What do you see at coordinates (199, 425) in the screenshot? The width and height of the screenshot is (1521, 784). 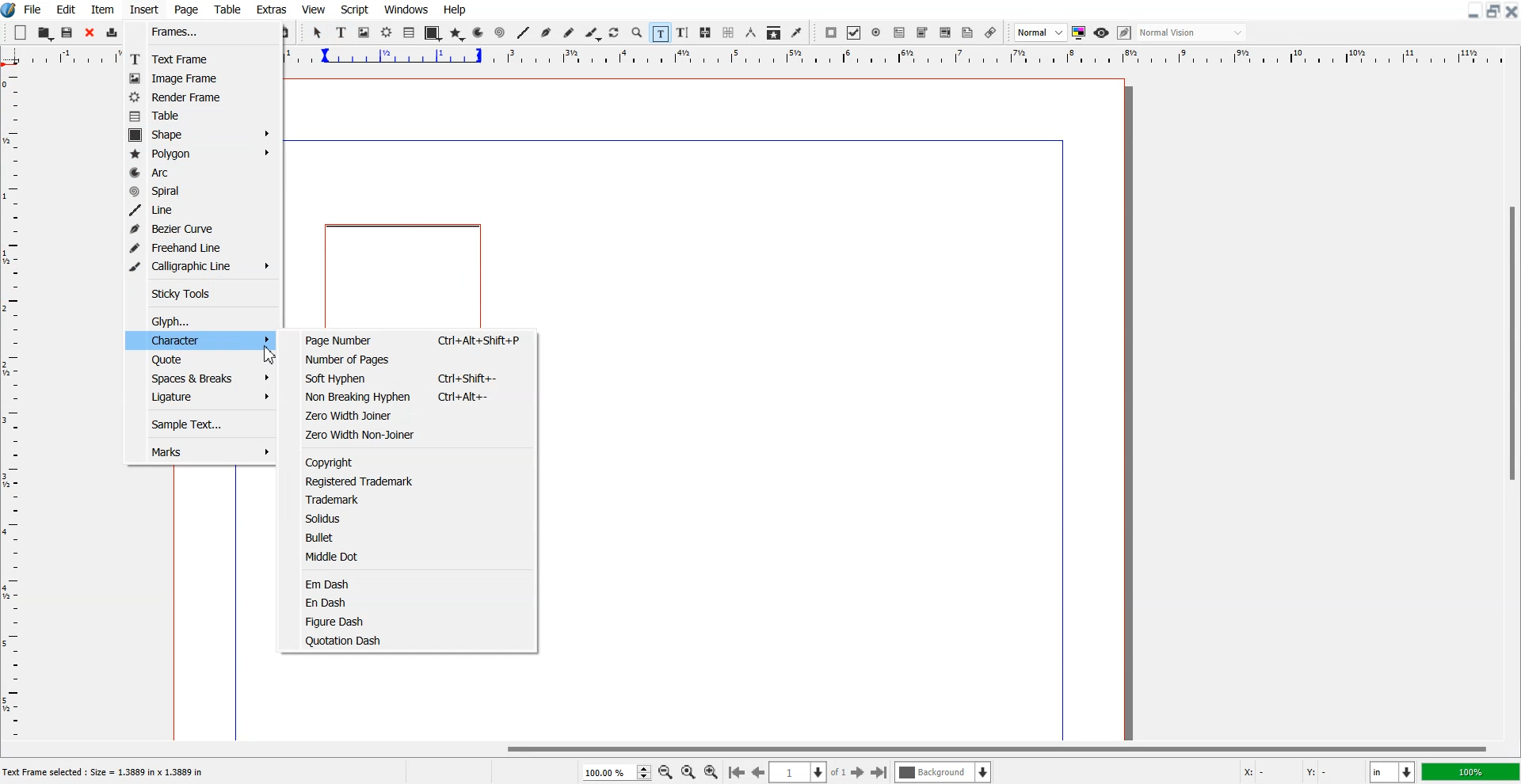 I see `Sample Text` at bounding box center [199, 425].